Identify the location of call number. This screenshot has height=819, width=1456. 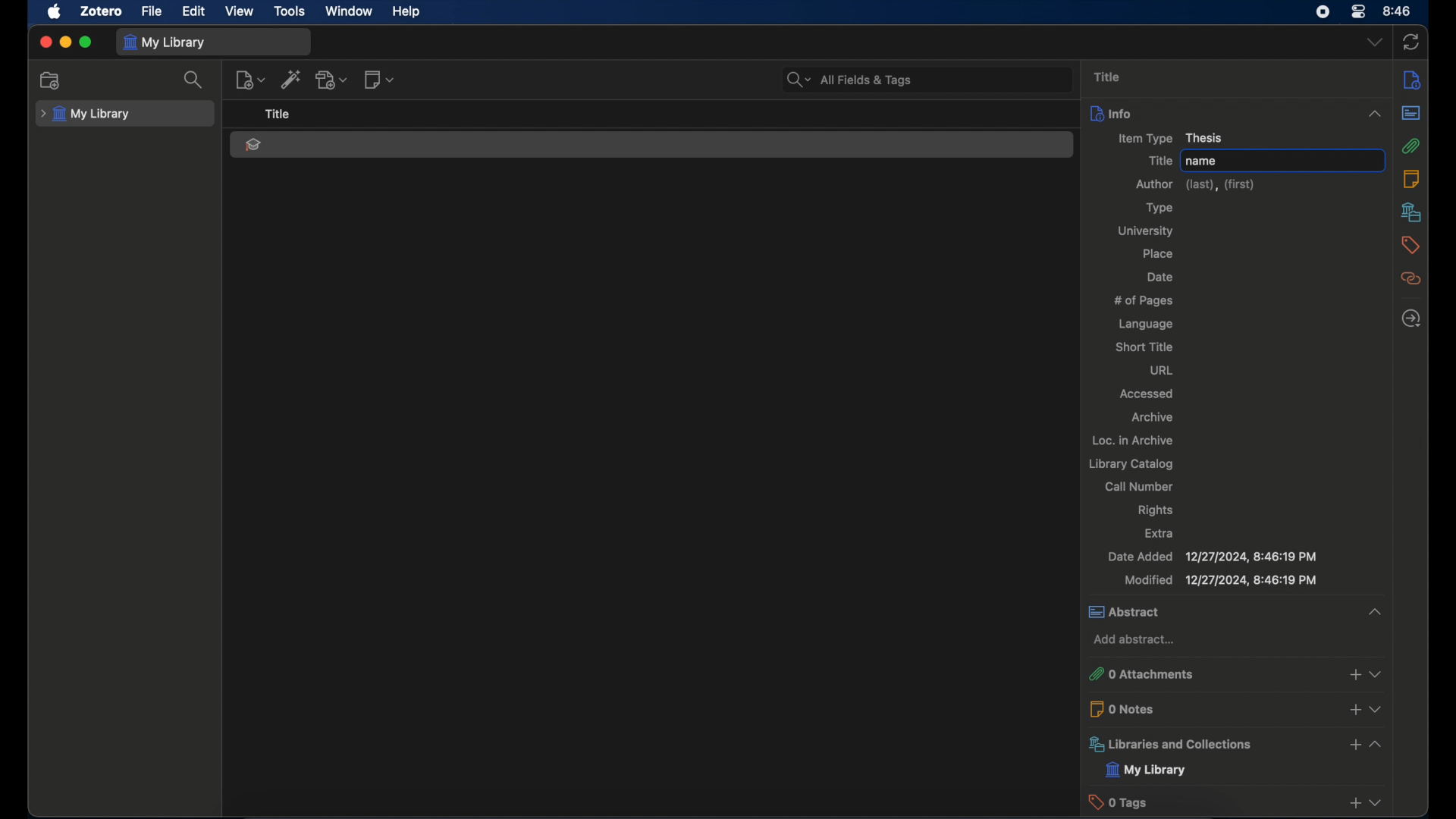
(1139, 486).